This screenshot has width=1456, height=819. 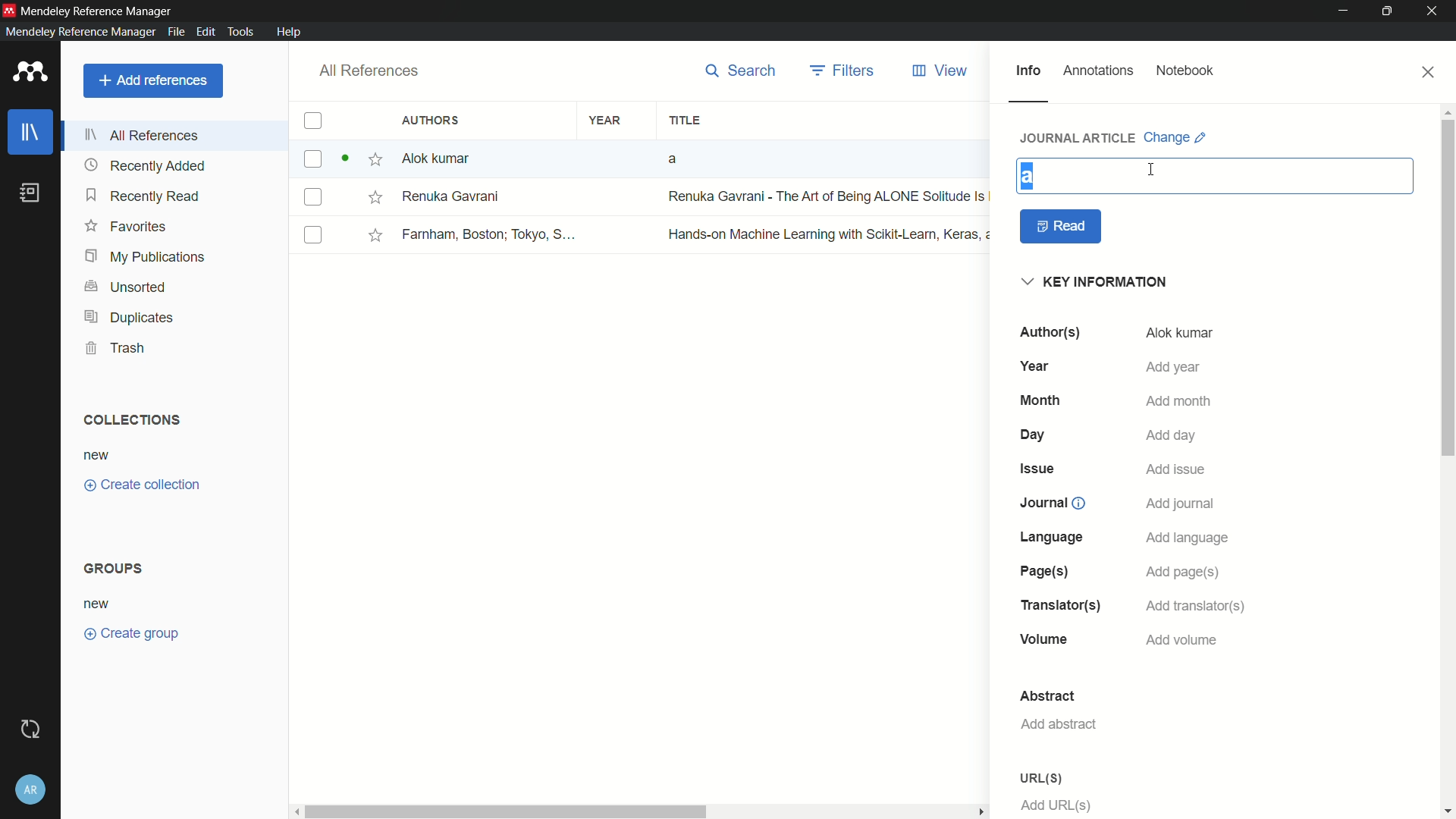 What do you see at coordinates (1079, 137) in the screenshot?
I see `journal article` at bounding box center [1079, 137].